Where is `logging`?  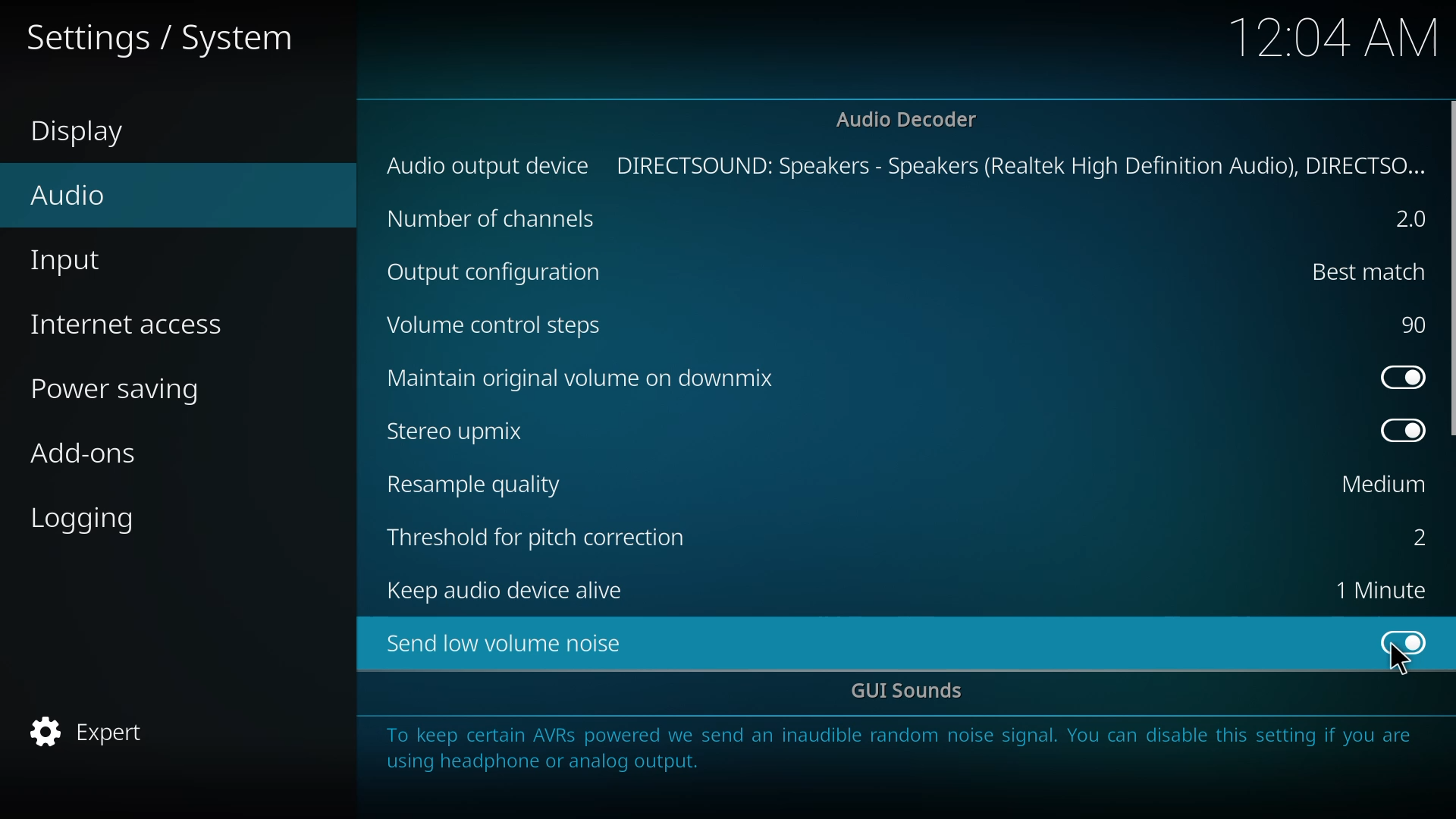
logging is located at coordinates (96, 519).